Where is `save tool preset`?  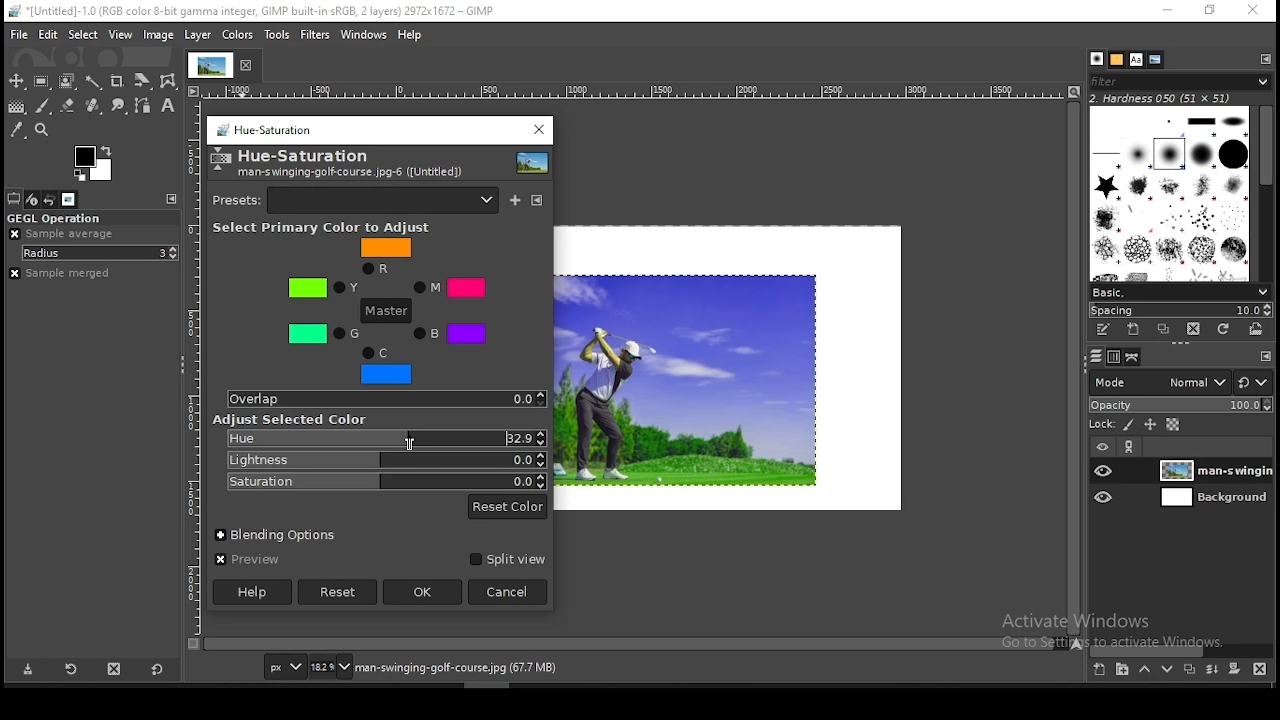
save tool preset is located at coordinates (32, 669).